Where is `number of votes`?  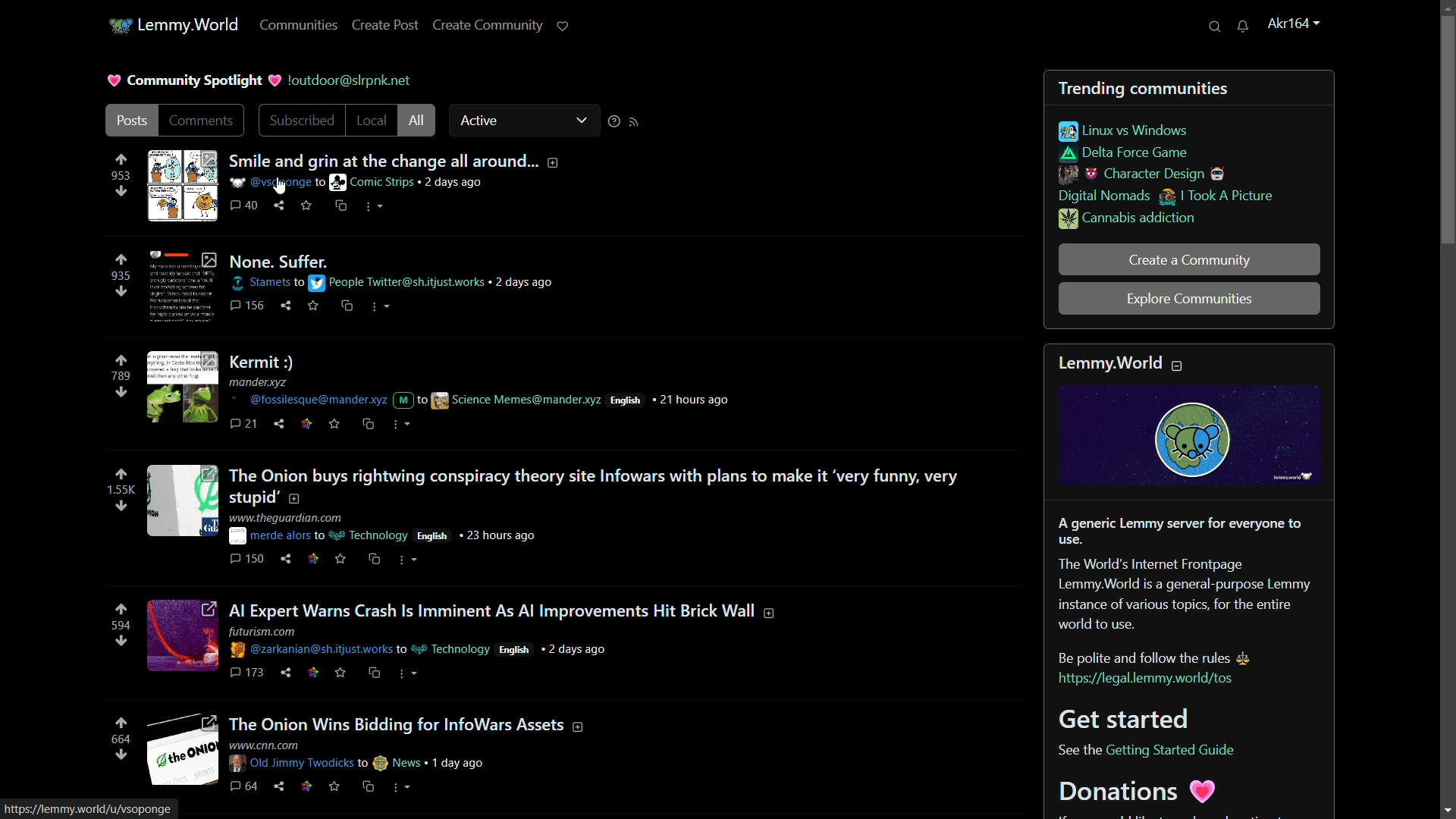
number of votes is located at coordinates (124, 175).